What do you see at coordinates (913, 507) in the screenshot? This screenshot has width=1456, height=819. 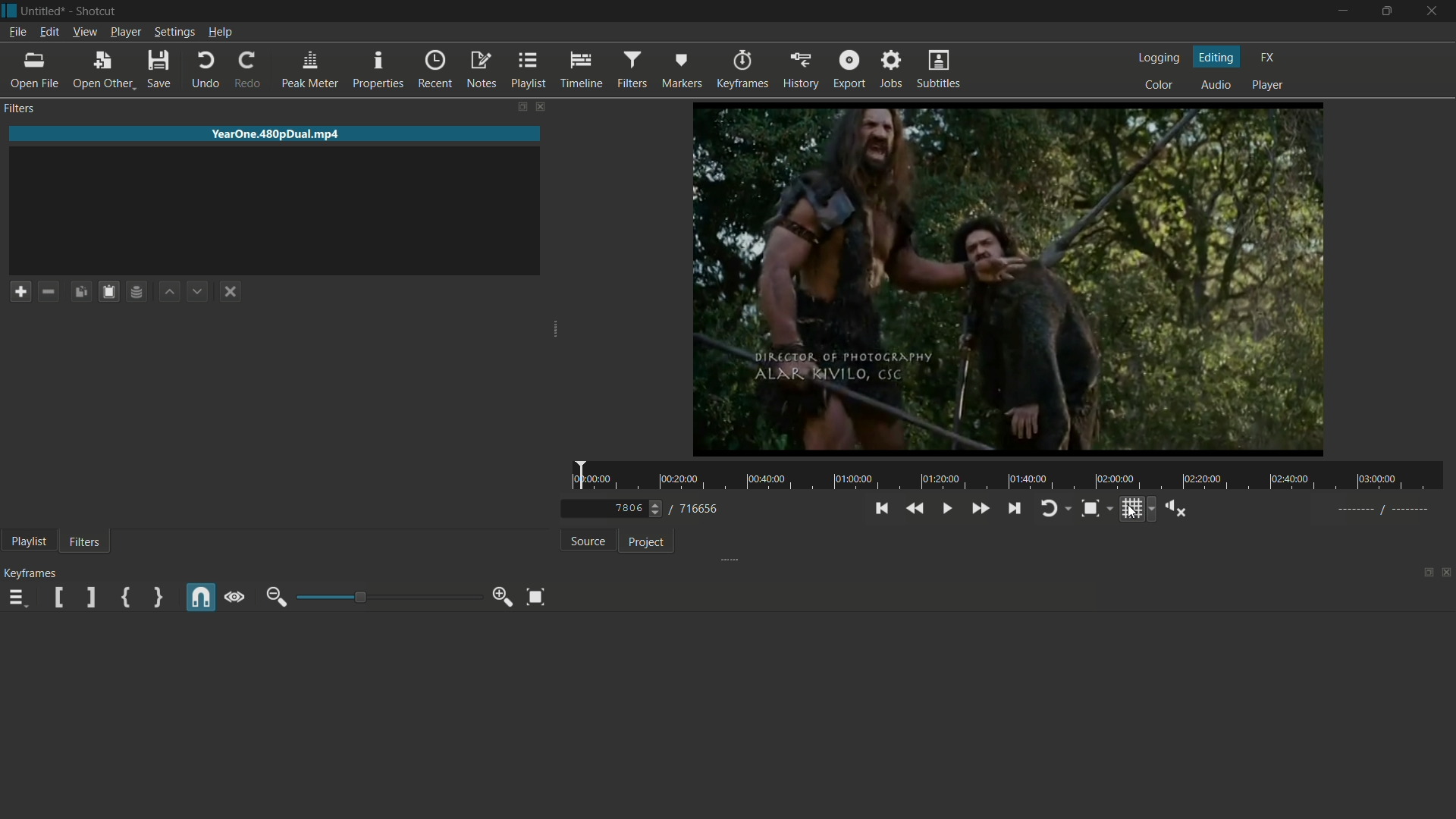 I see `quickly play backward` at bounding box center [913, 507].